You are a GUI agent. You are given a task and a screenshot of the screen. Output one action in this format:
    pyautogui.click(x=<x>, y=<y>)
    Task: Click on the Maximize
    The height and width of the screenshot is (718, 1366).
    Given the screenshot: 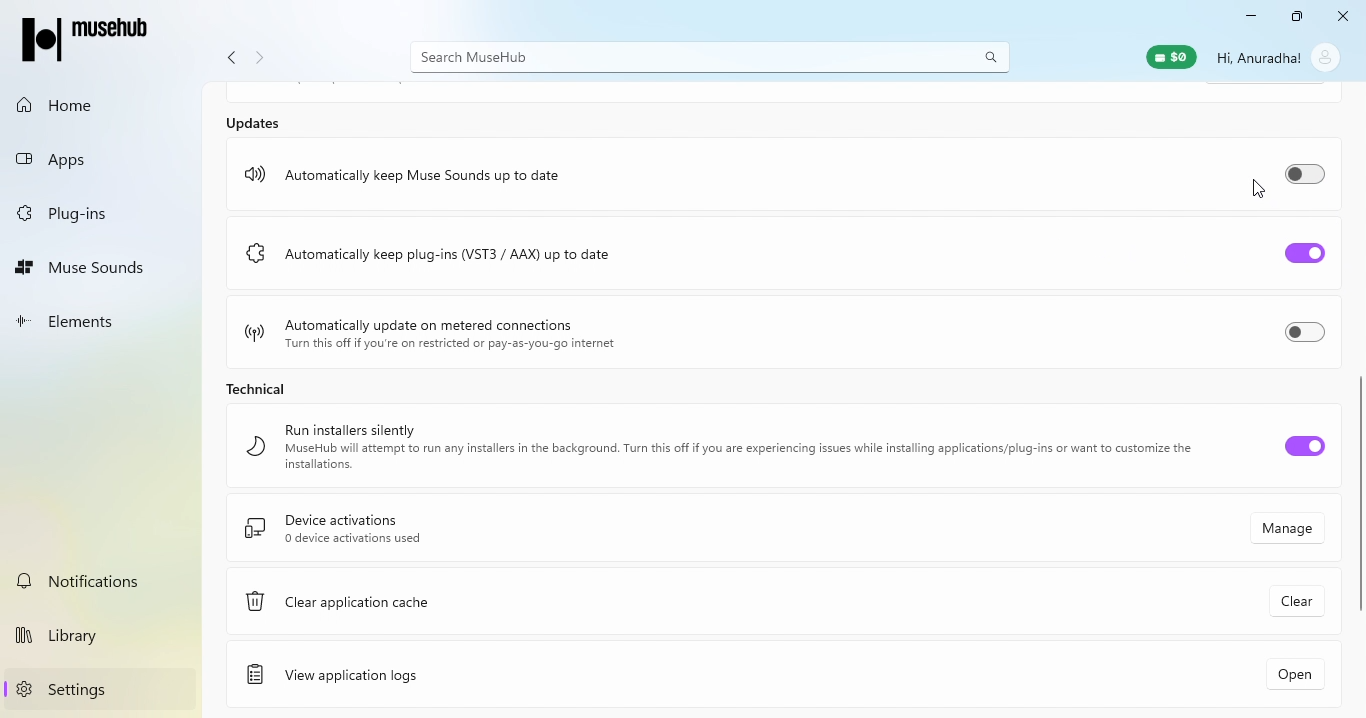 What is the action you would take?
    pyautogui.click(x=1295, y=18)
    